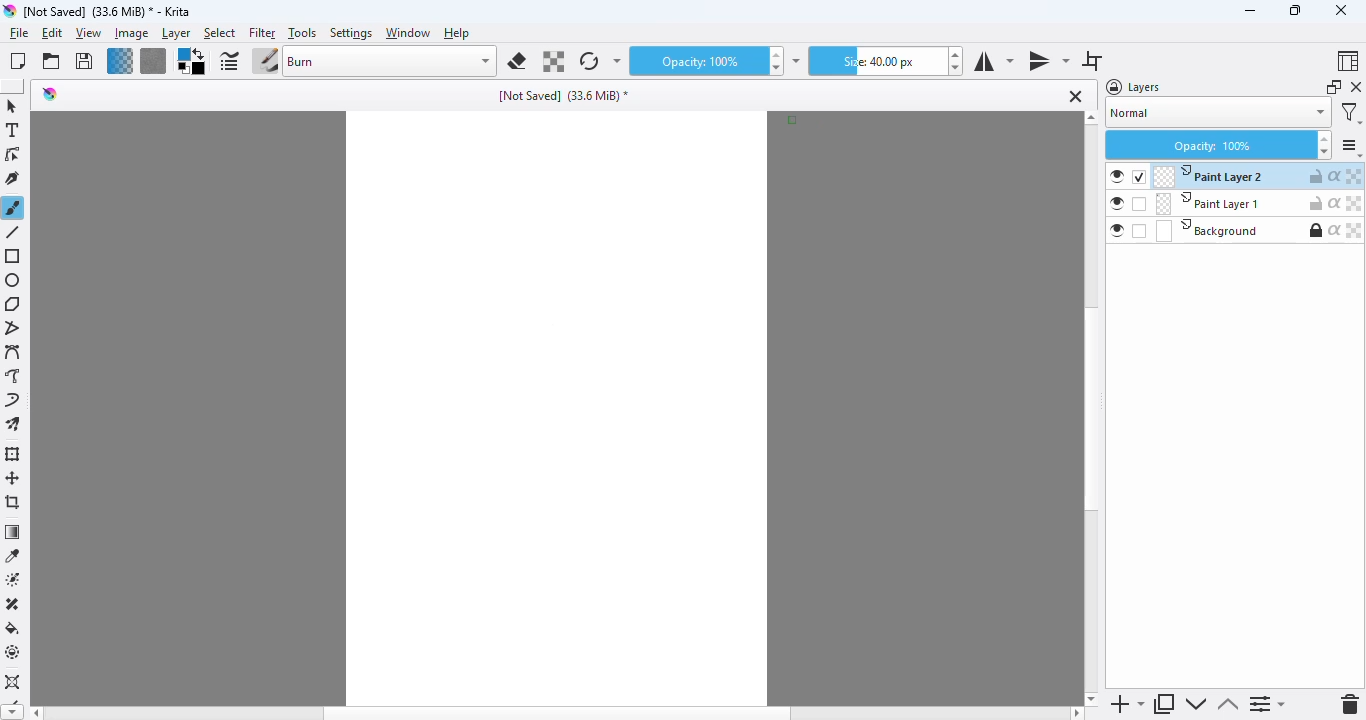 The height and width of the screenshot is (720, 1366). Describe the element at coordinates (1206, 204) in the screenshot. I see `Paint Layer 1` at that location.